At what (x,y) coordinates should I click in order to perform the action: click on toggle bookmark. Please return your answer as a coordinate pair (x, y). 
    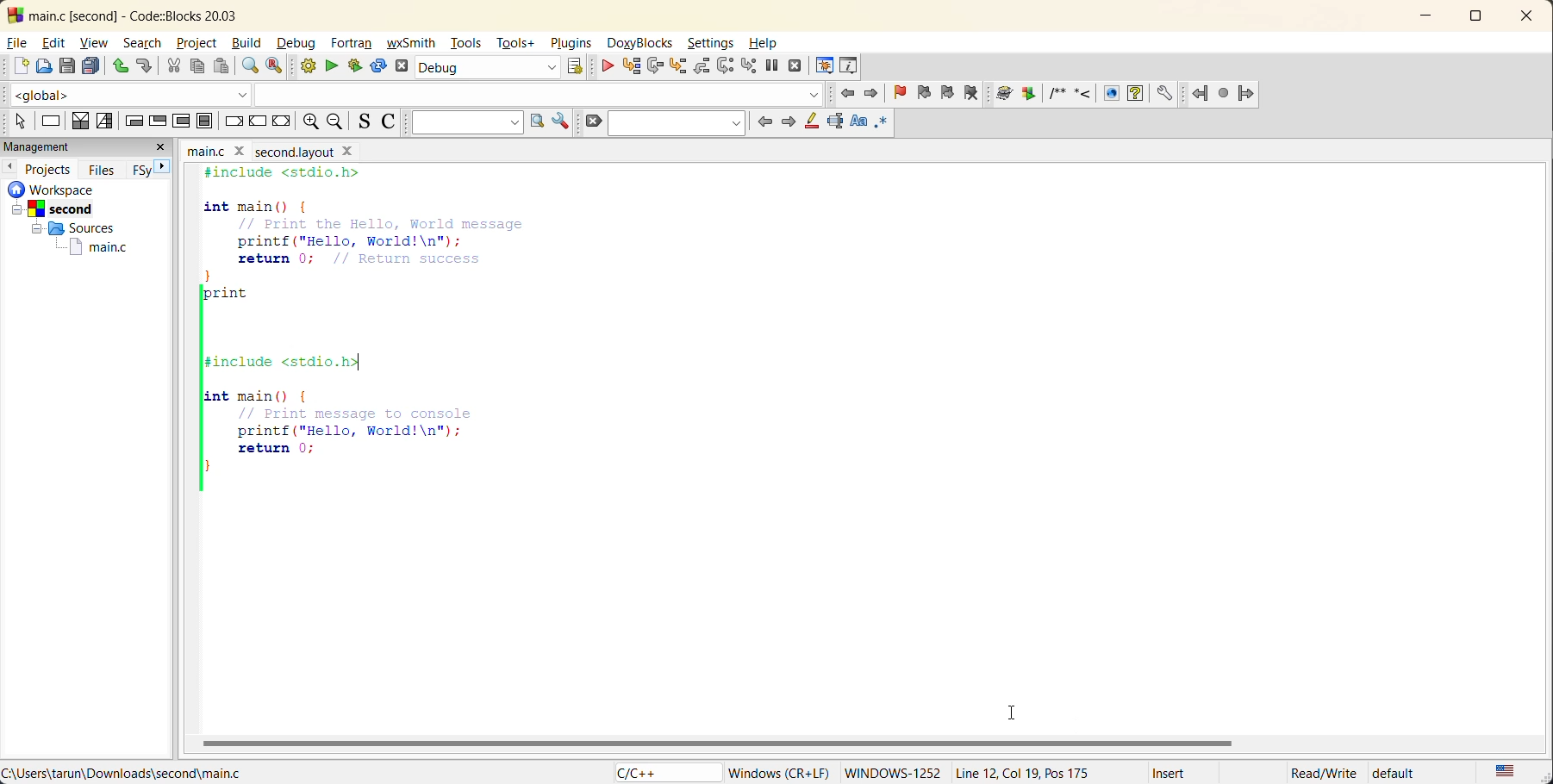
    Looking at the image, I should click on (899, 90).